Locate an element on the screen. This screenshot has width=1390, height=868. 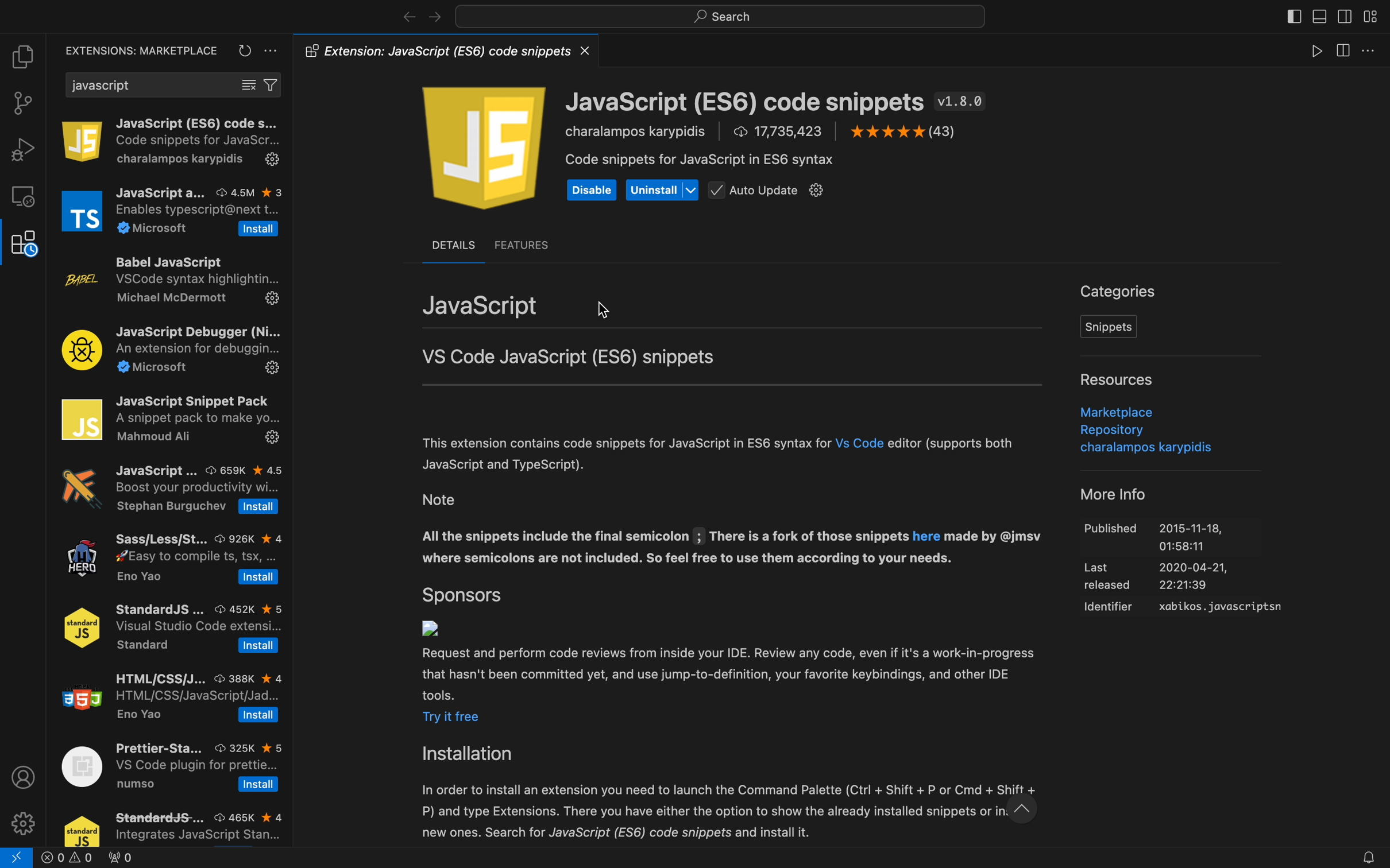
toggle bar is located at coordinates (1291, 16).